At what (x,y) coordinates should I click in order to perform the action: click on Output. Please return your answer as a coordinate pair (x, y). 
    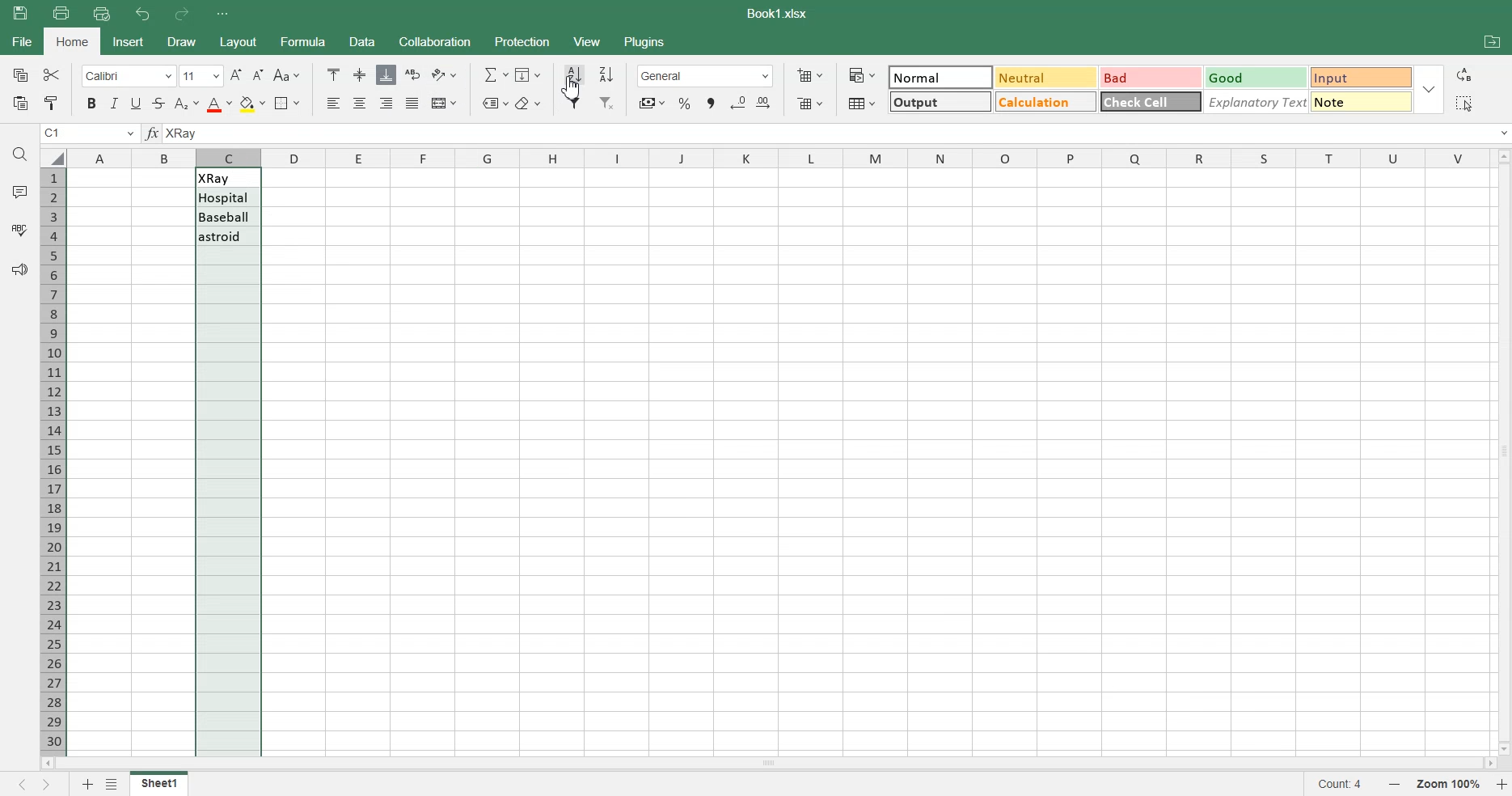
    Looking at the image, I should click on (938, 100).